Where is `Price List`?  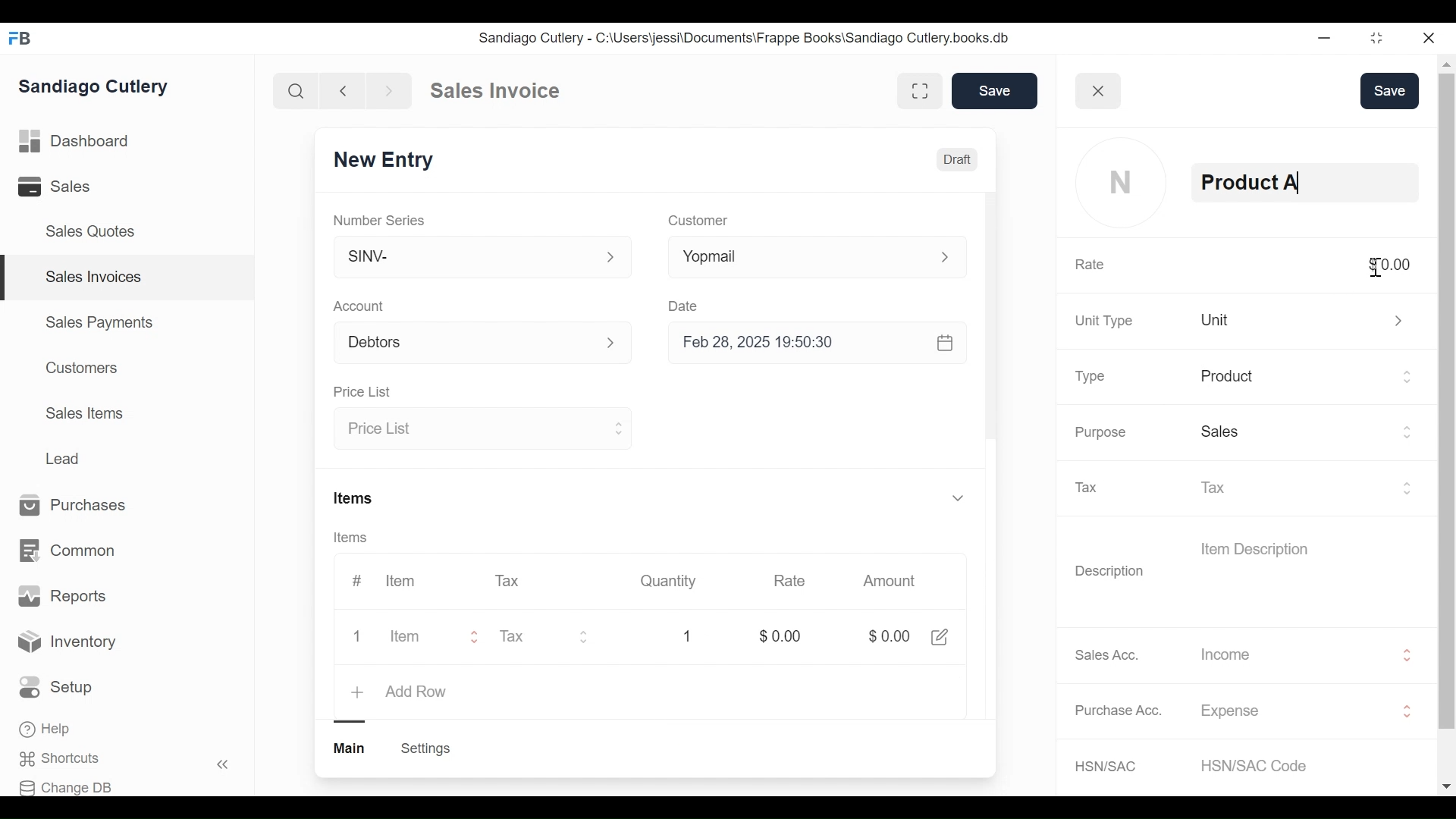 Price List is located at coordinates (362, 391).